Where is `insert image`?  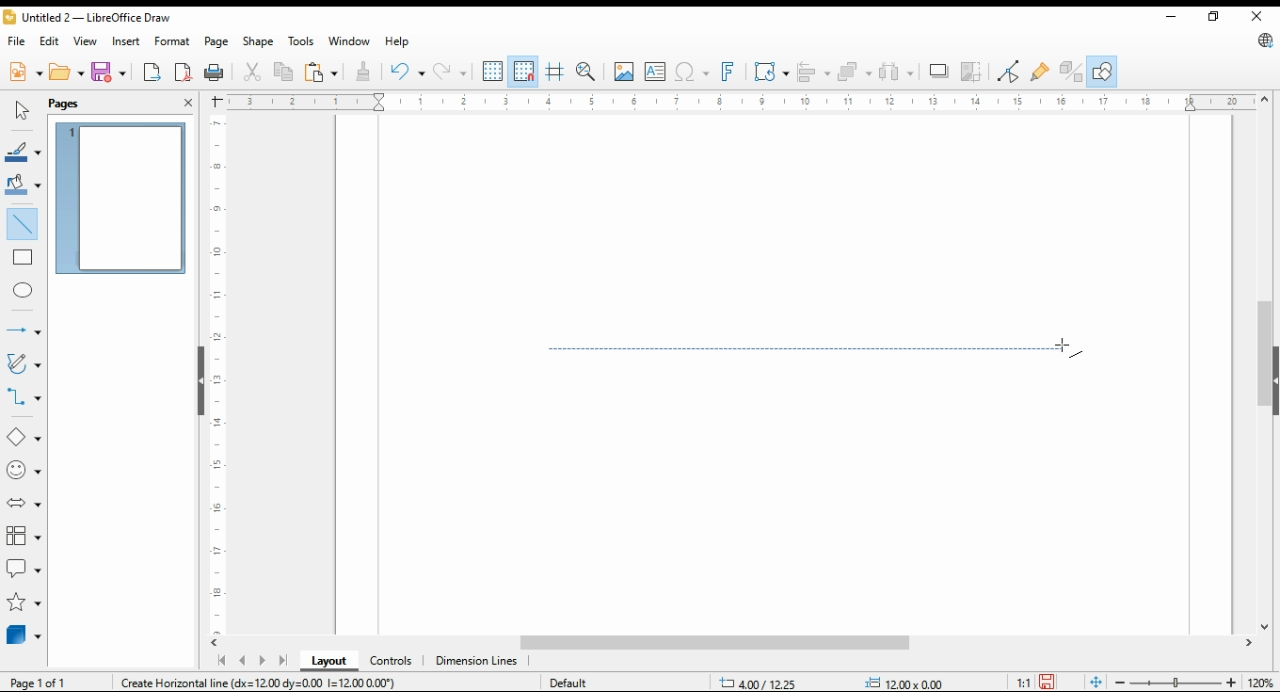
insert image is located at coordinates (623, 71).